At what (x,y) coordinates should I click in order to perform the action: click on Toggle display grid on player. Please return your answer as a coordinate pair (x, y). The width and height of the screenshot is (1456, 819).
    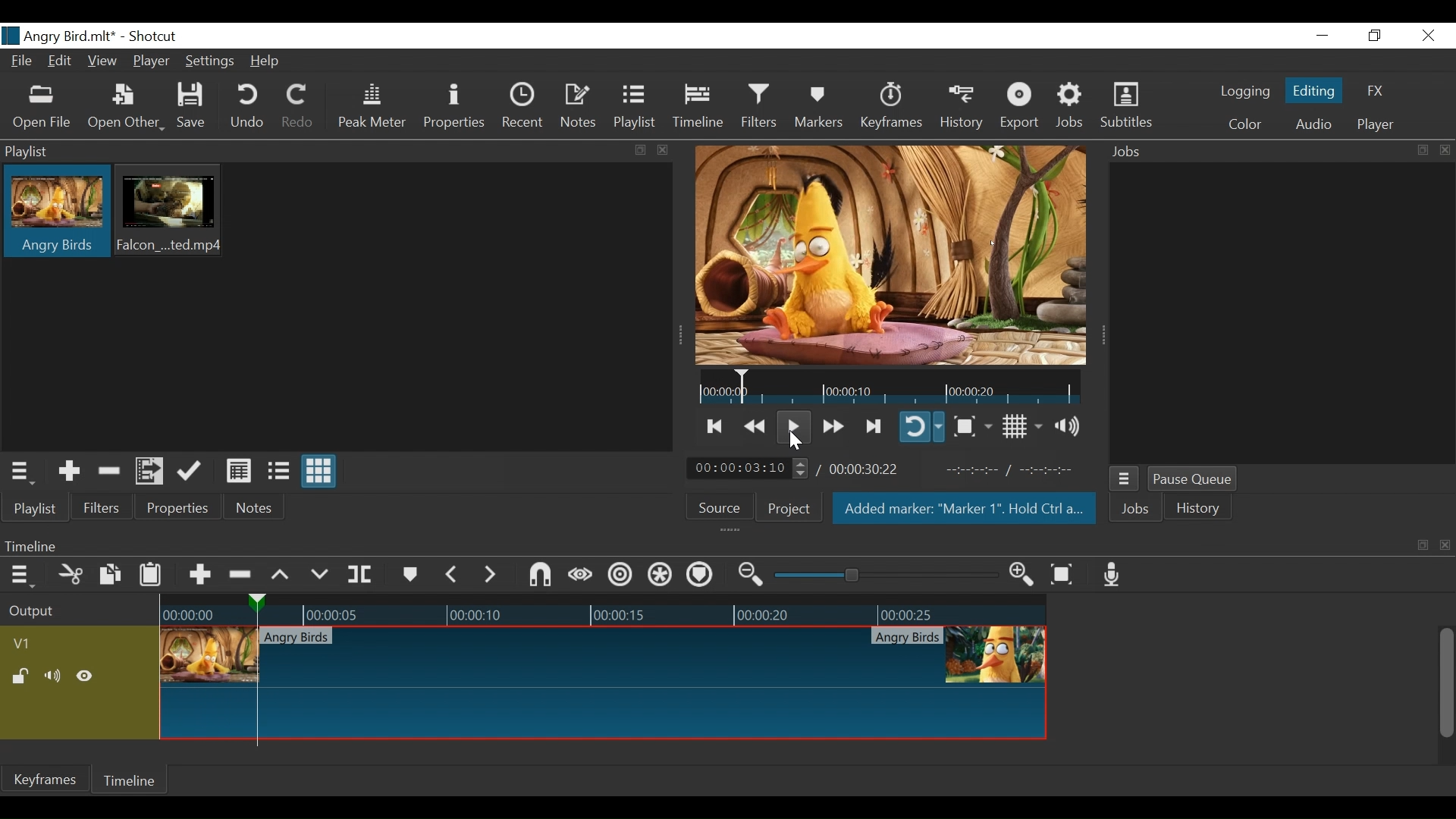
    Looking at the image, I should click on (1021, 427).